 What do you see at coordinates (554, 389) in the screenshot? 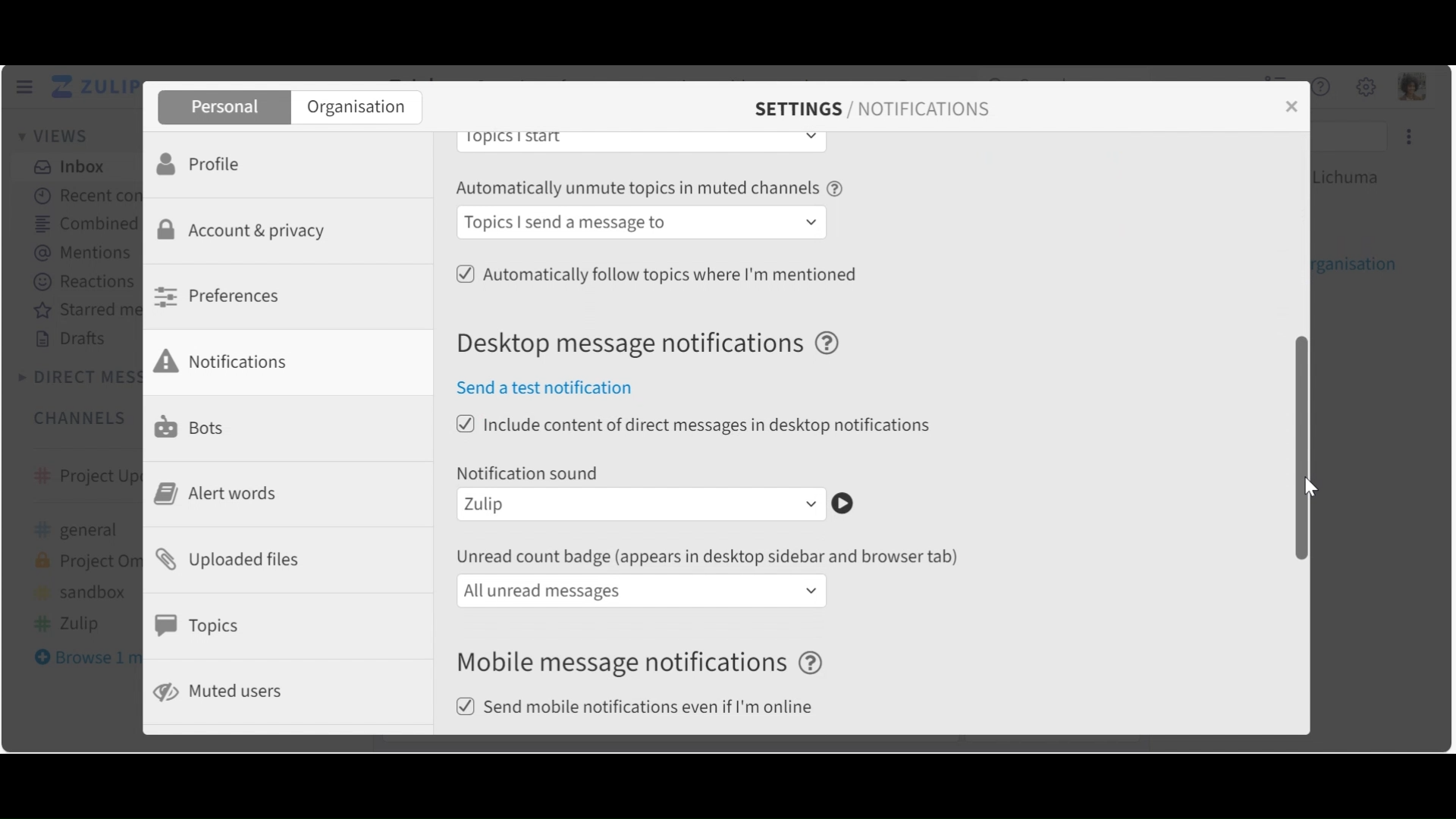
I see `Send a test notification` at bounding box center [554, 389].